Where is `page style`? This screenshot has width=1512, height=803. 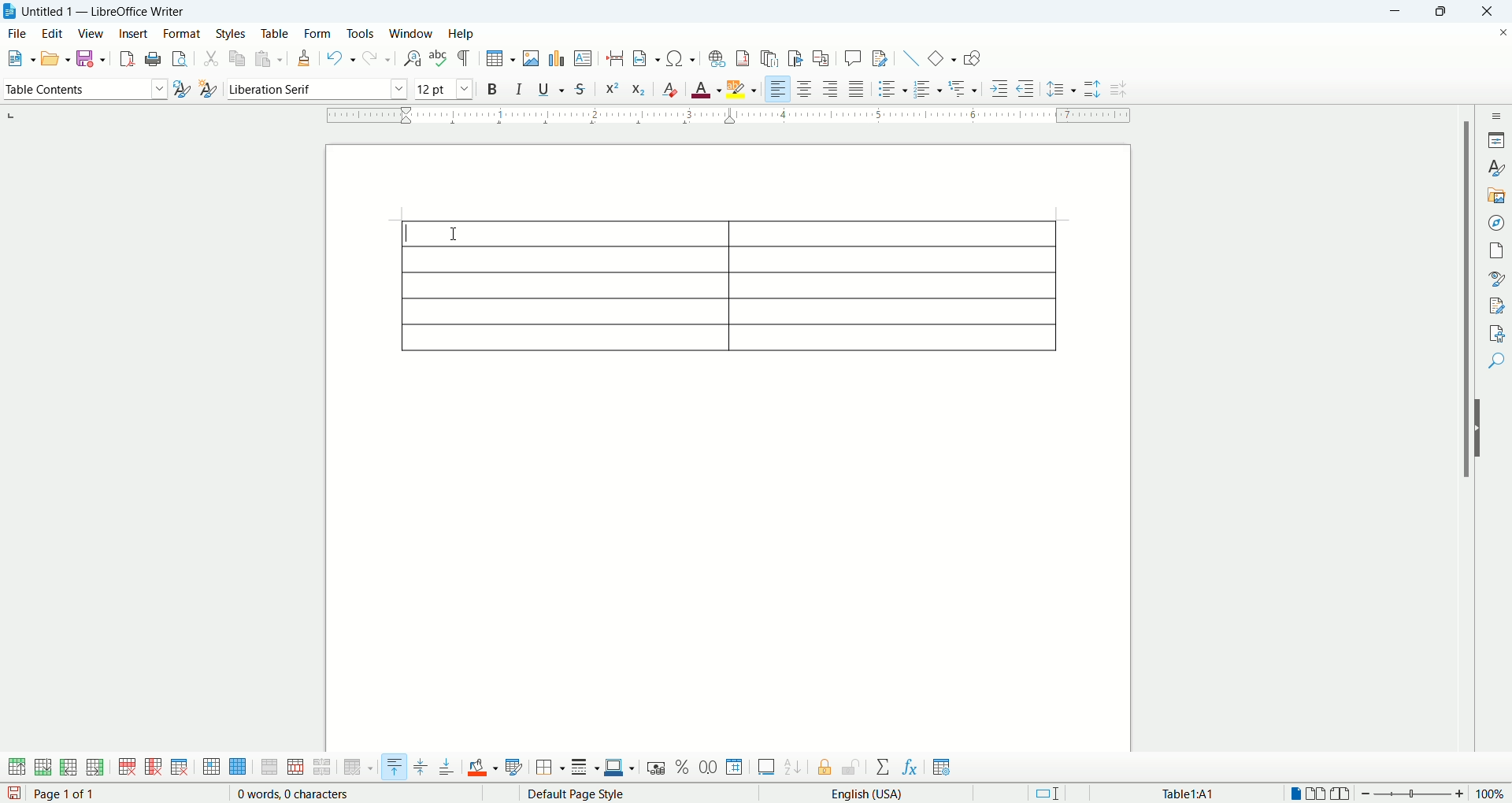 page style is located at coordinates (611, 794).